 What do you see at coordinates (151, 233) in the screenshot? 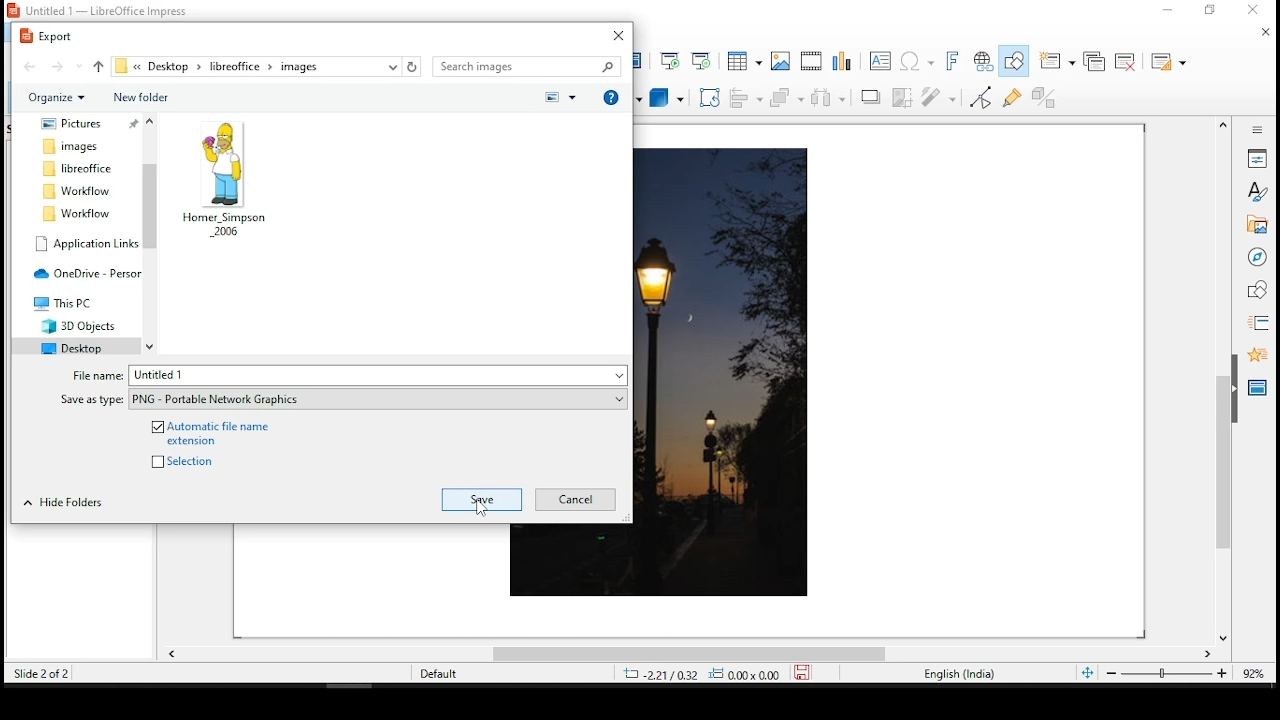
I see `scroll bar` at bounding box center [151, 233].